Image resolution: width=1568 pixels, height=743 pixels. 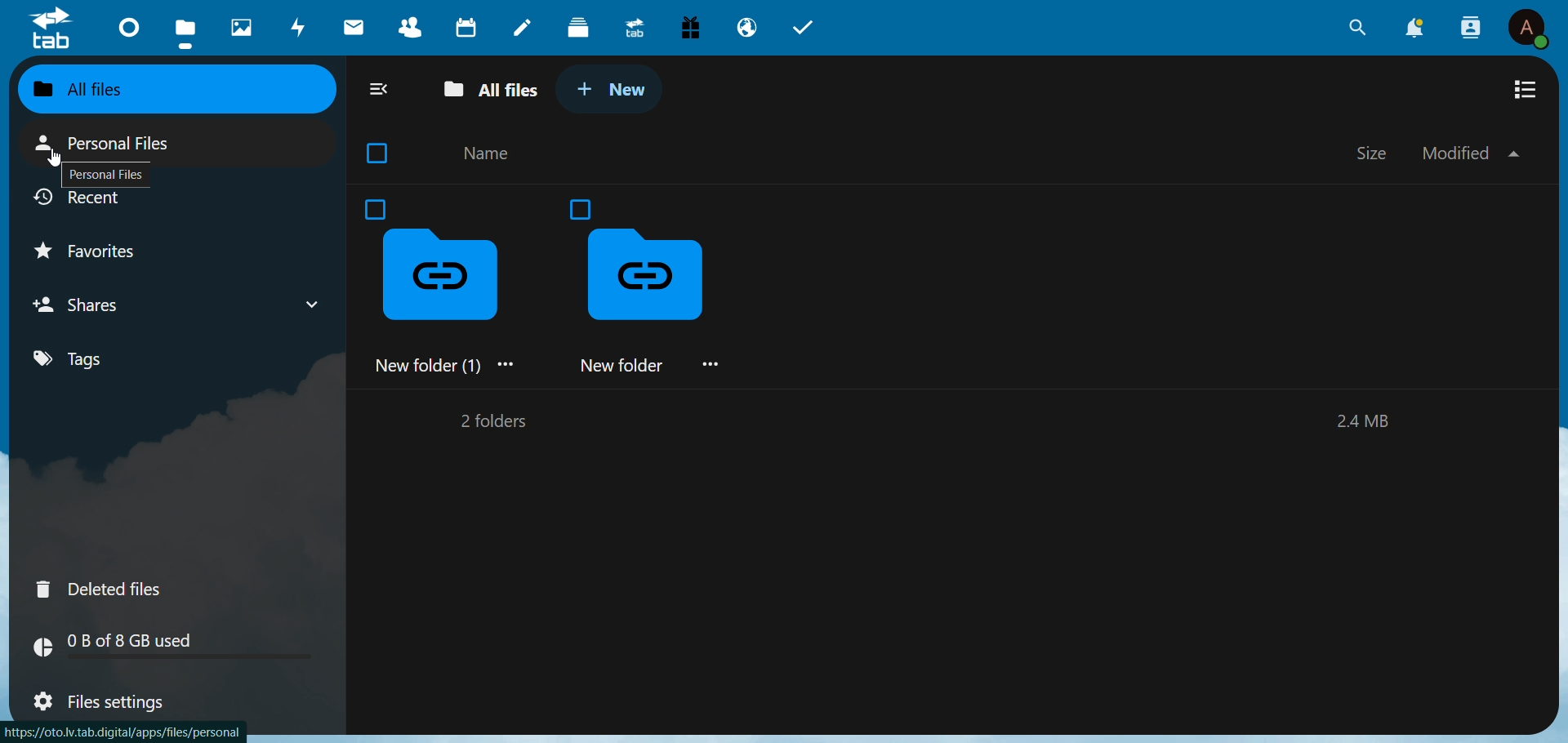 I want to click on calender, so click(x=468, y=27).